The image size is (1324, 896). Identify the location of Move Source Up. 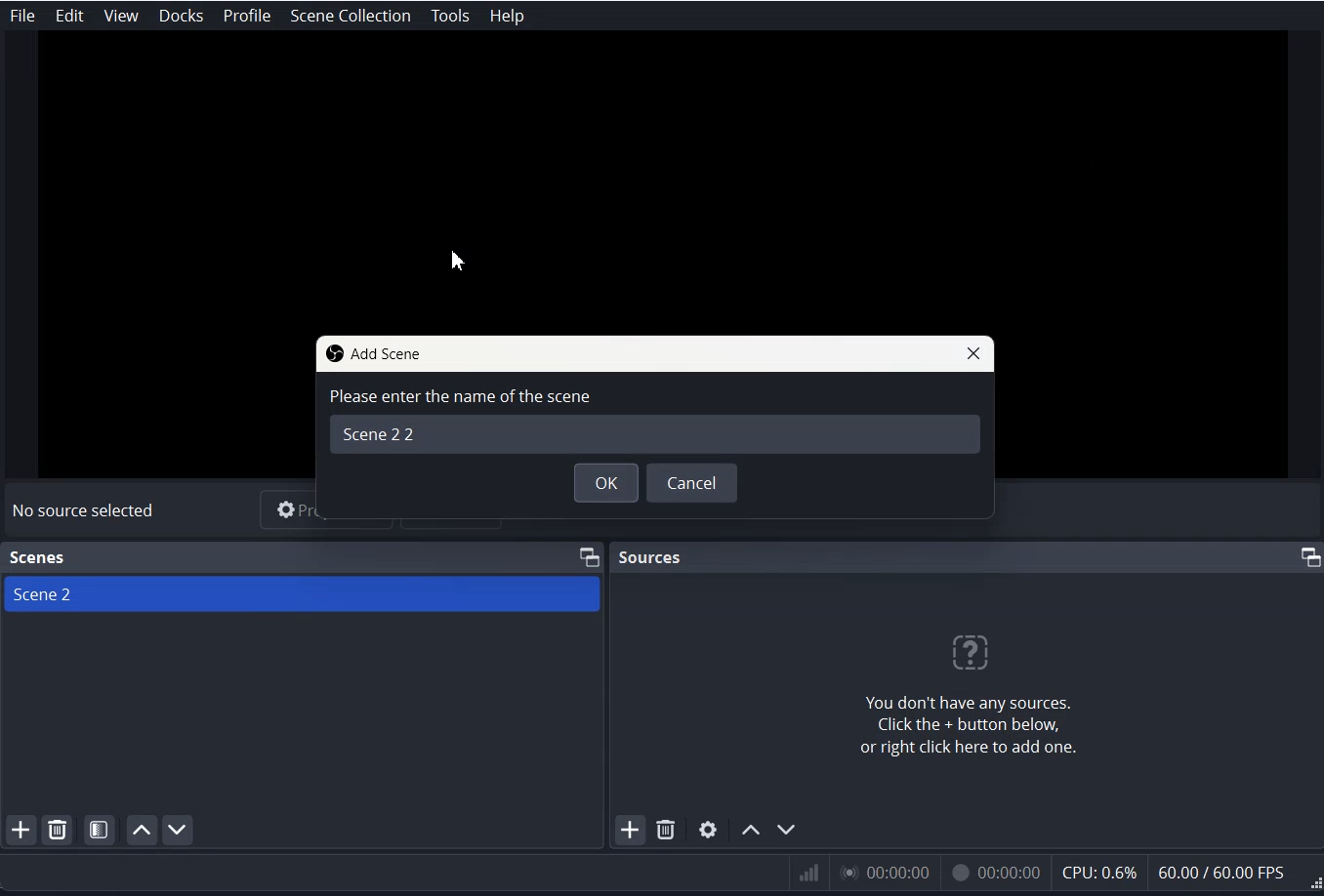
(752, 829).